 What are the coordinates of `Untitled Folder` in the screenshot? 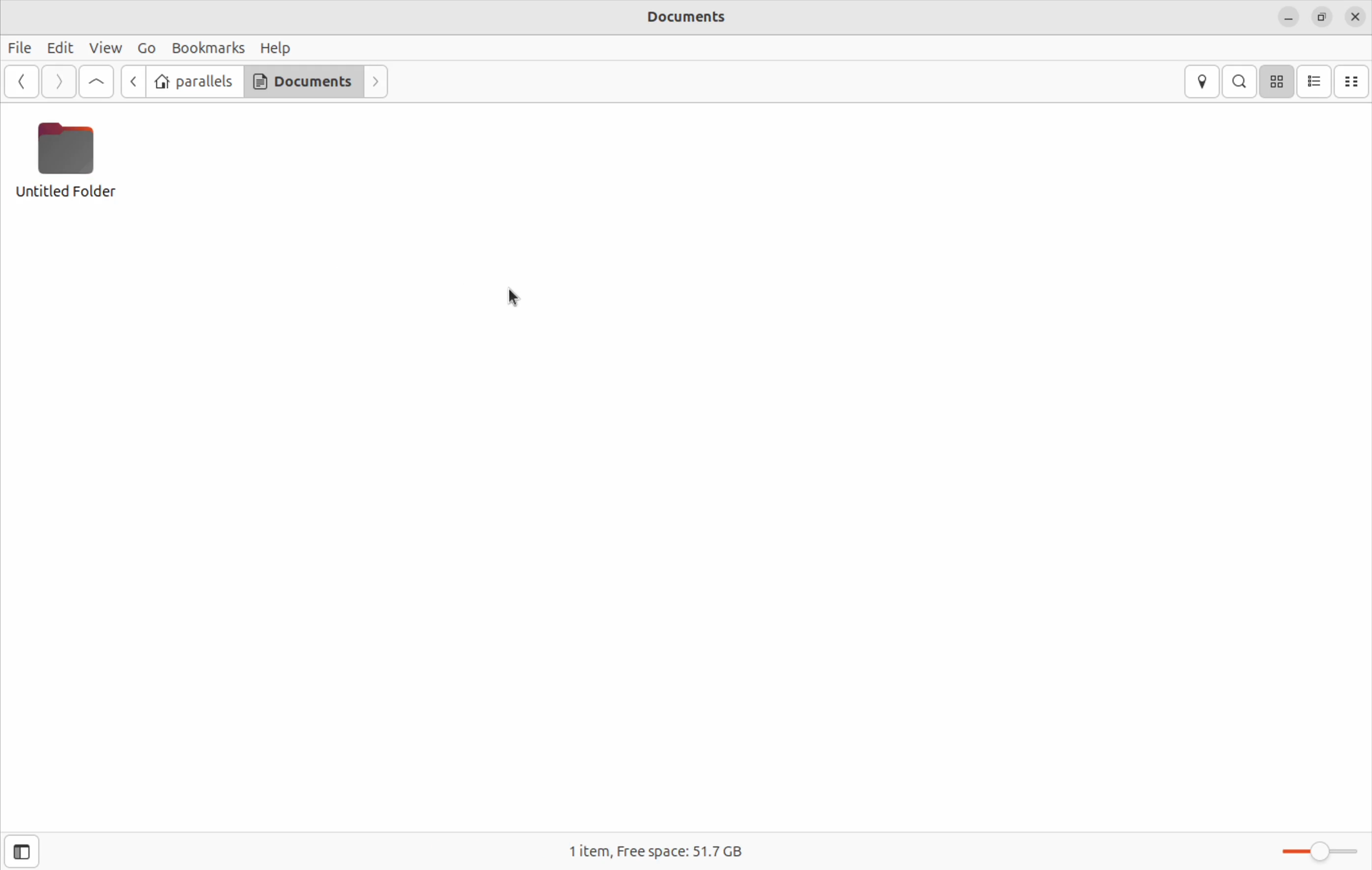 It's located at (67, 160).